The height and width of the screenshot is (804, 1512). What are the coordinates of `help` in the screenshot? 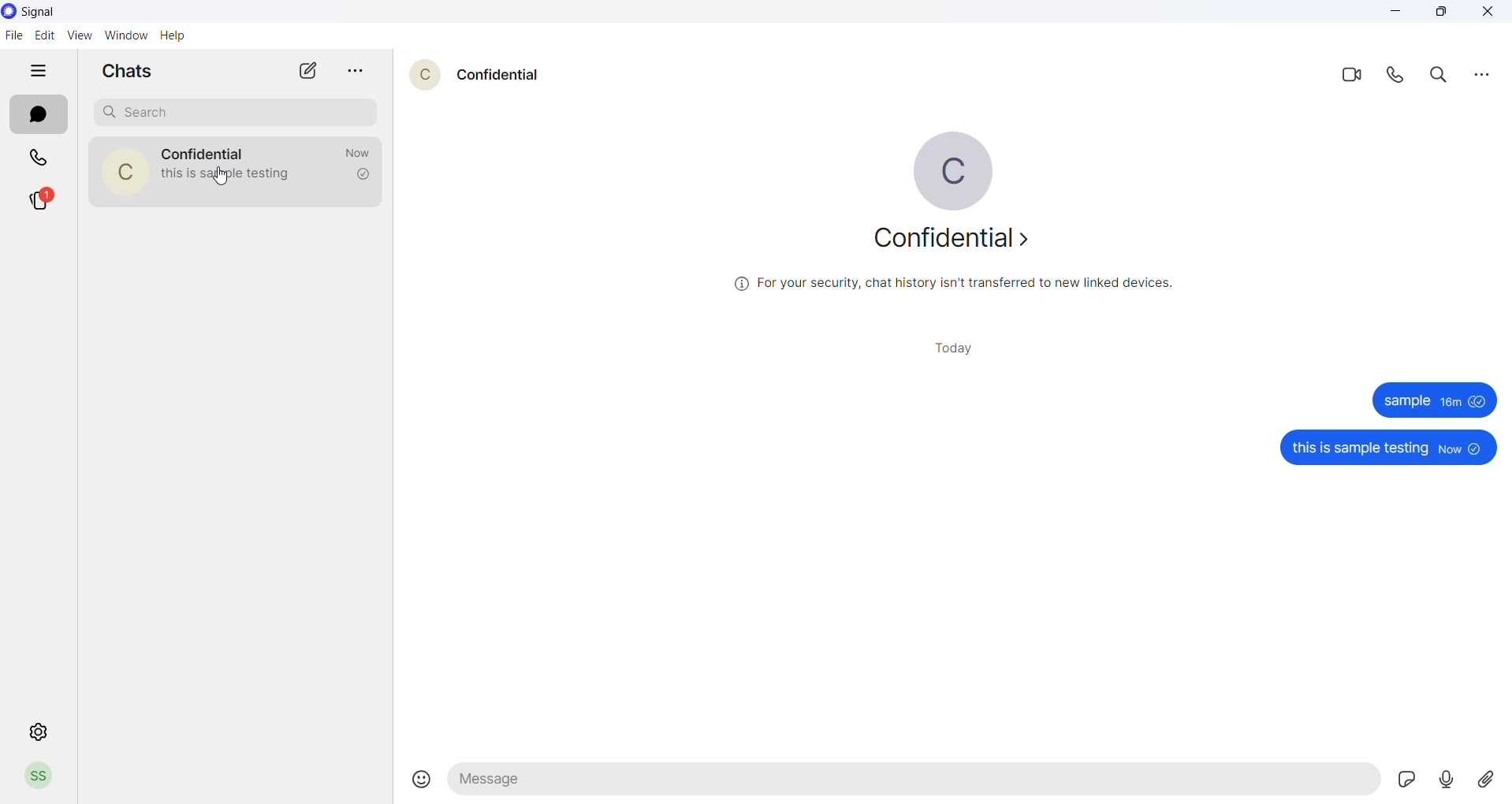 It's located at (177, 35).